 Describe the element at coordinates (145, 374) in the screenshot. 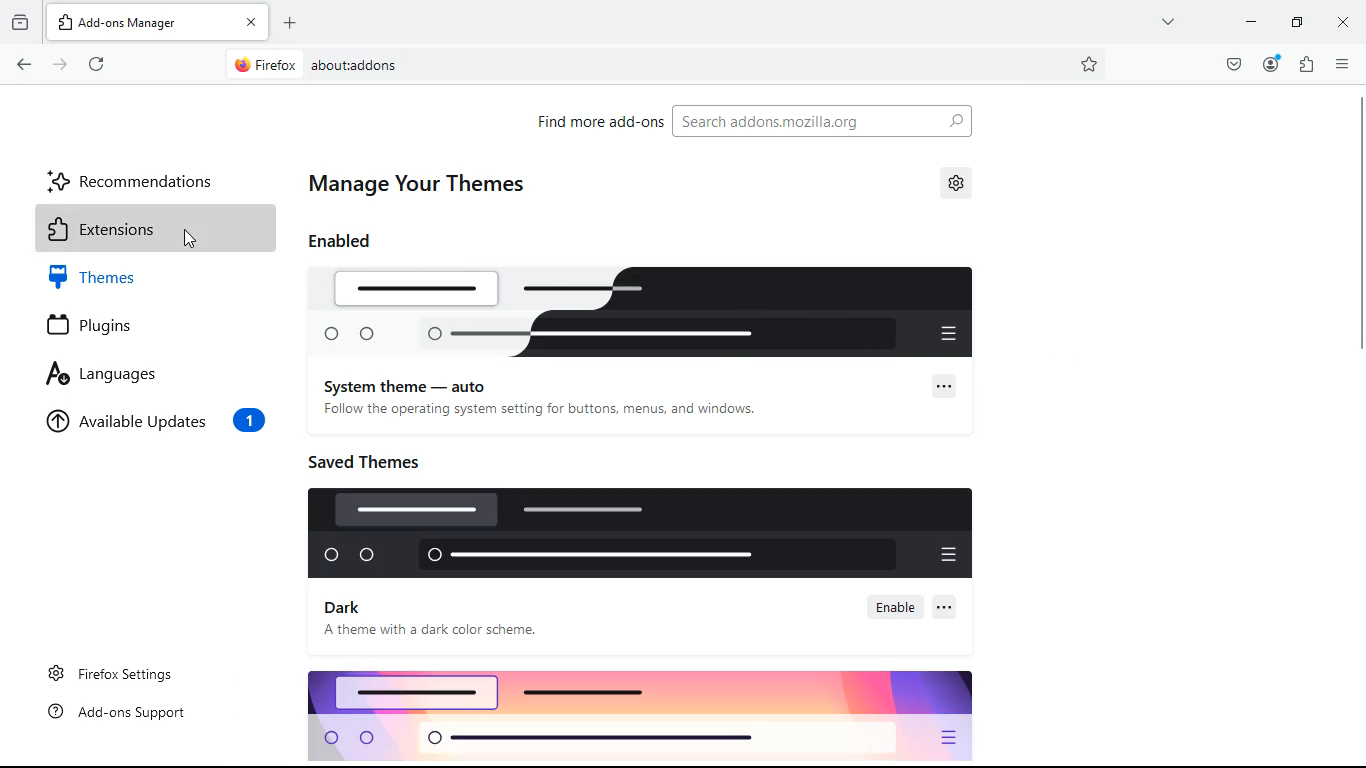

I see `languages` at that location.